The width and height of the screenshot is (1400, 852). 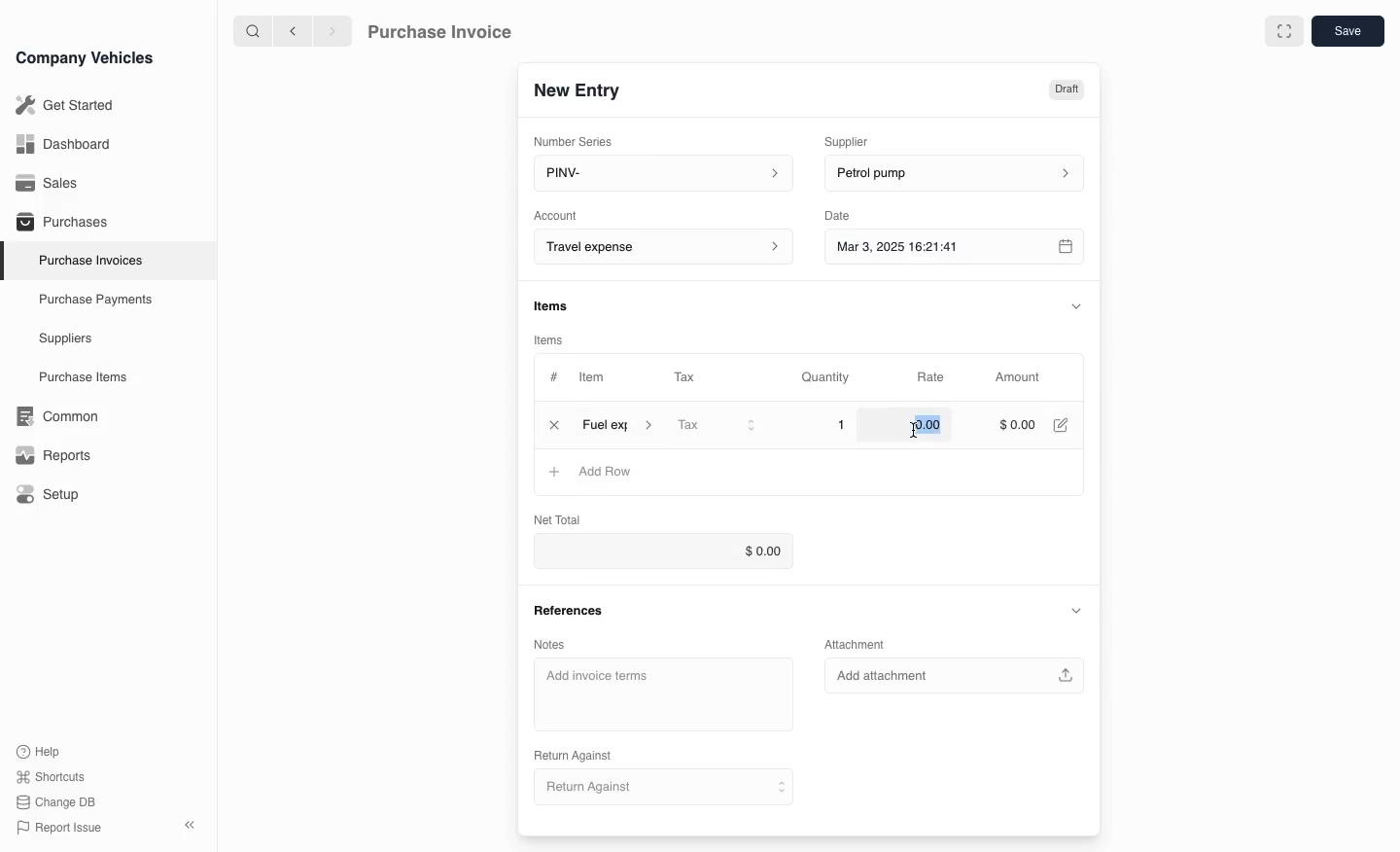 What do you see at coordinates (664, 695) in the screenshot?
I see `Add invoice terms` at bounding box center [664, 695].